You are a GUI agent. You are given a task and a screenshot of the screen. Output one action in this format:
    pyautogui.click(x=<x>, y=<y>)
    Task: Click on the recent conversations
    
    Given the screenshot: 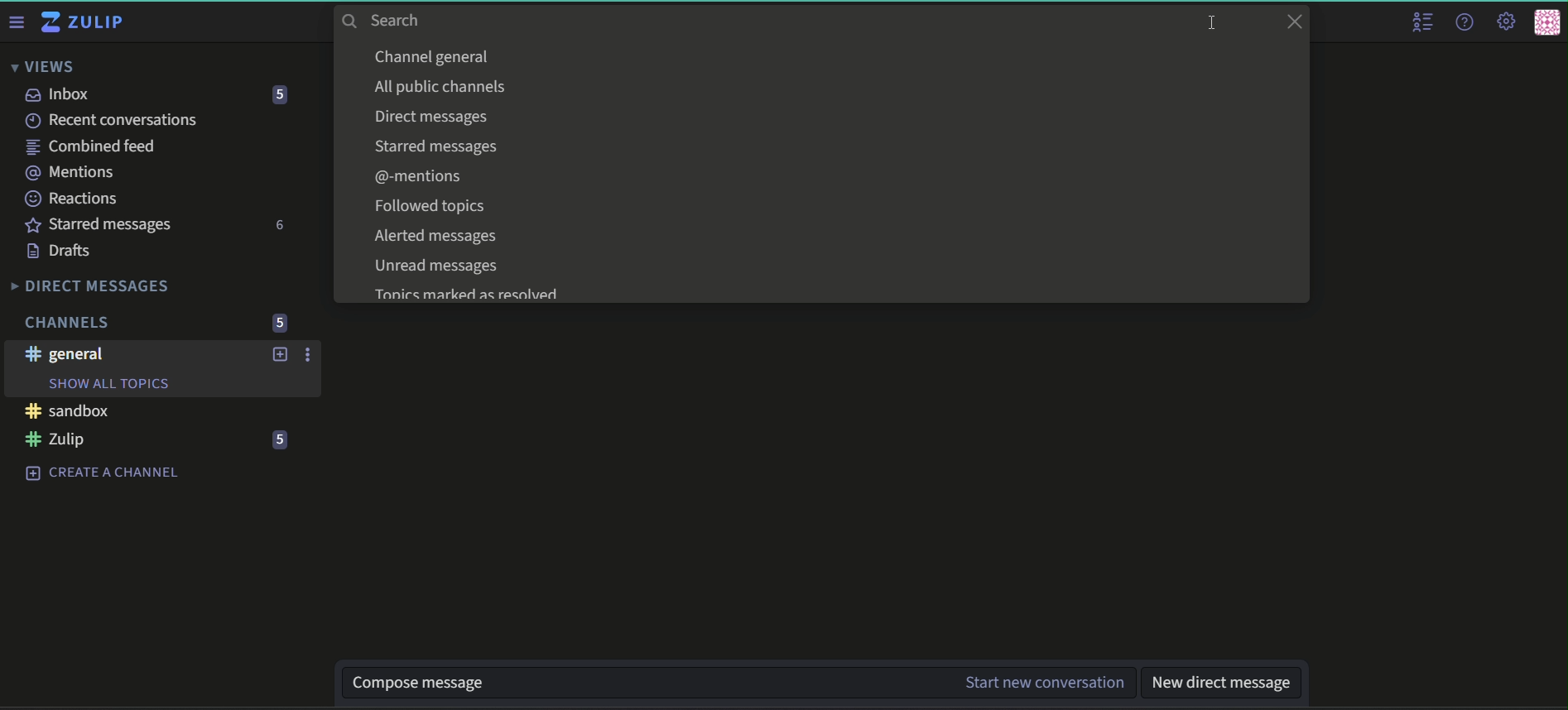 What is the action you would take?
    pyautogui.click(x=111, y=119)
    